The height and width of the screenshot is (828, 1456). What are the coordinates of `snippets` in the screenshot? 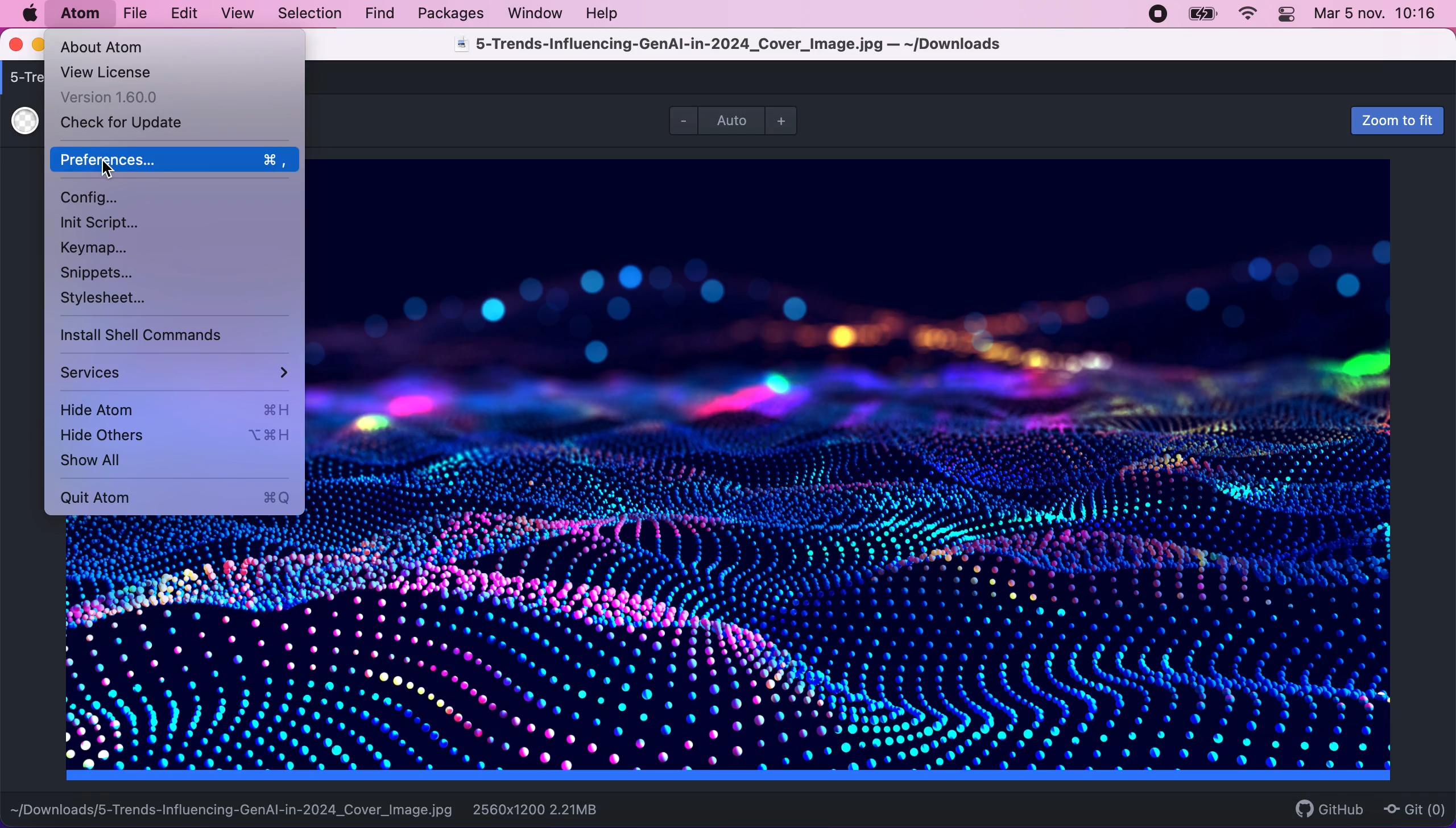 It's located at (102, 272).